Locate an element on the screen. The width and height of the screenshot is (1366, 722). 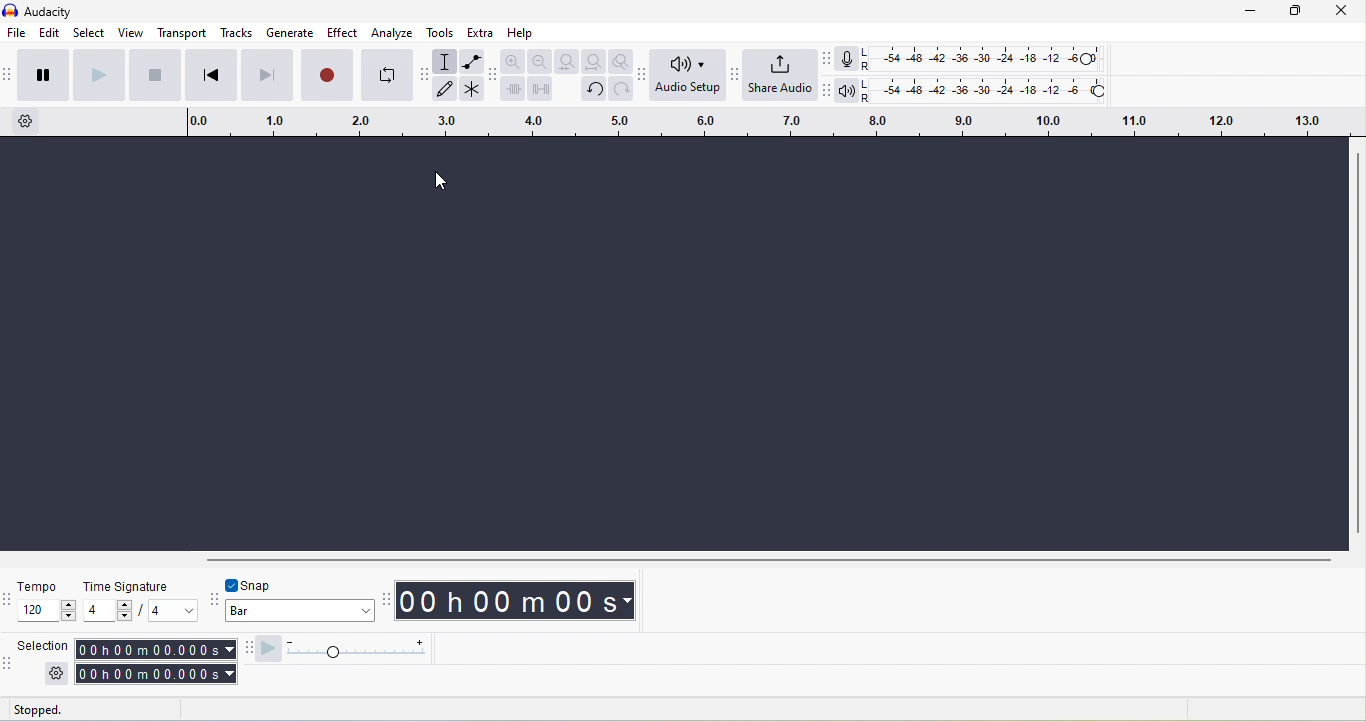
envelope tool is located at coordinates (473, 60).